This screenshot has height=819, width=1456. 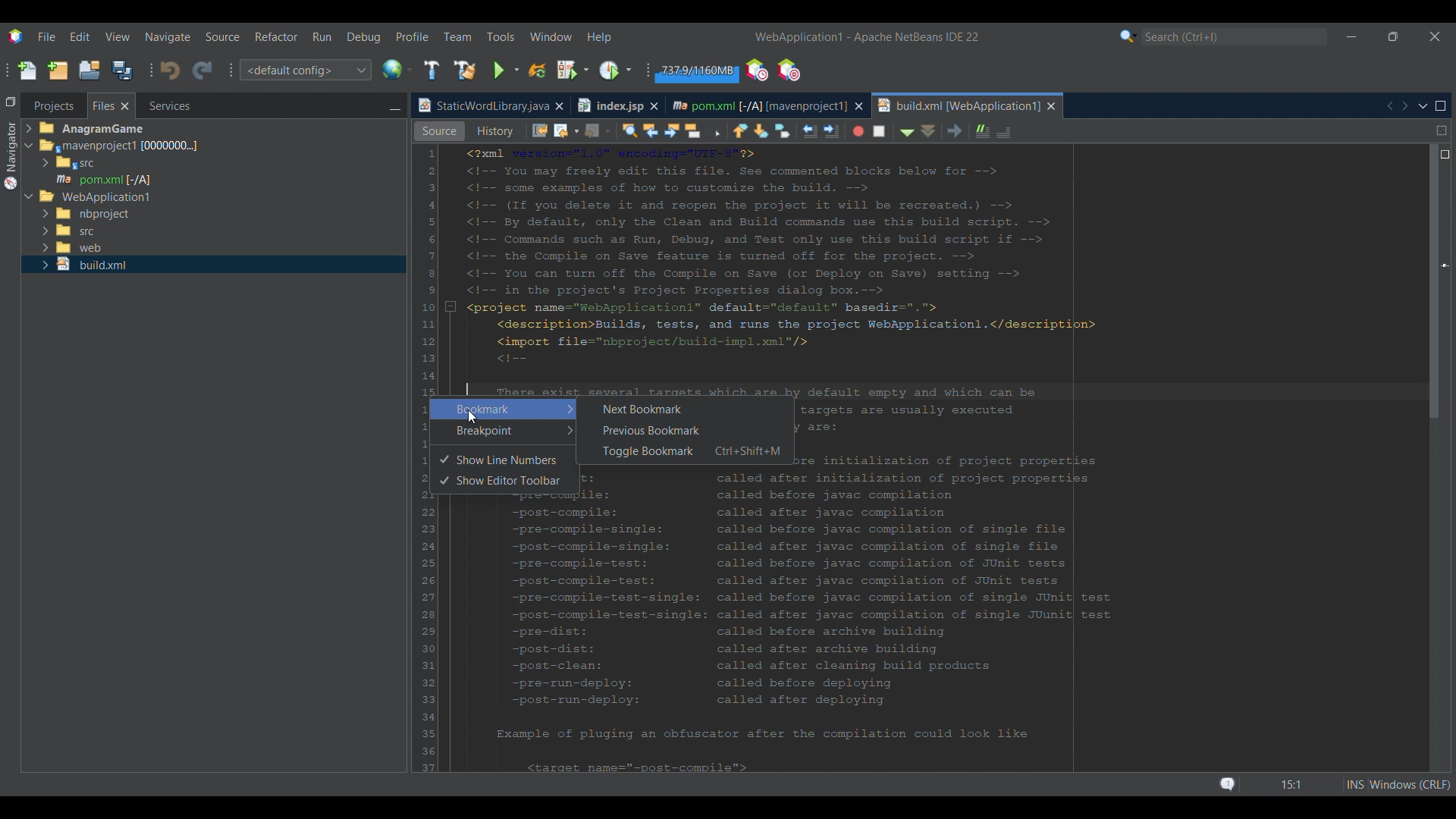 I want to click on Current tab highlighted, so click(x=758, y=104).